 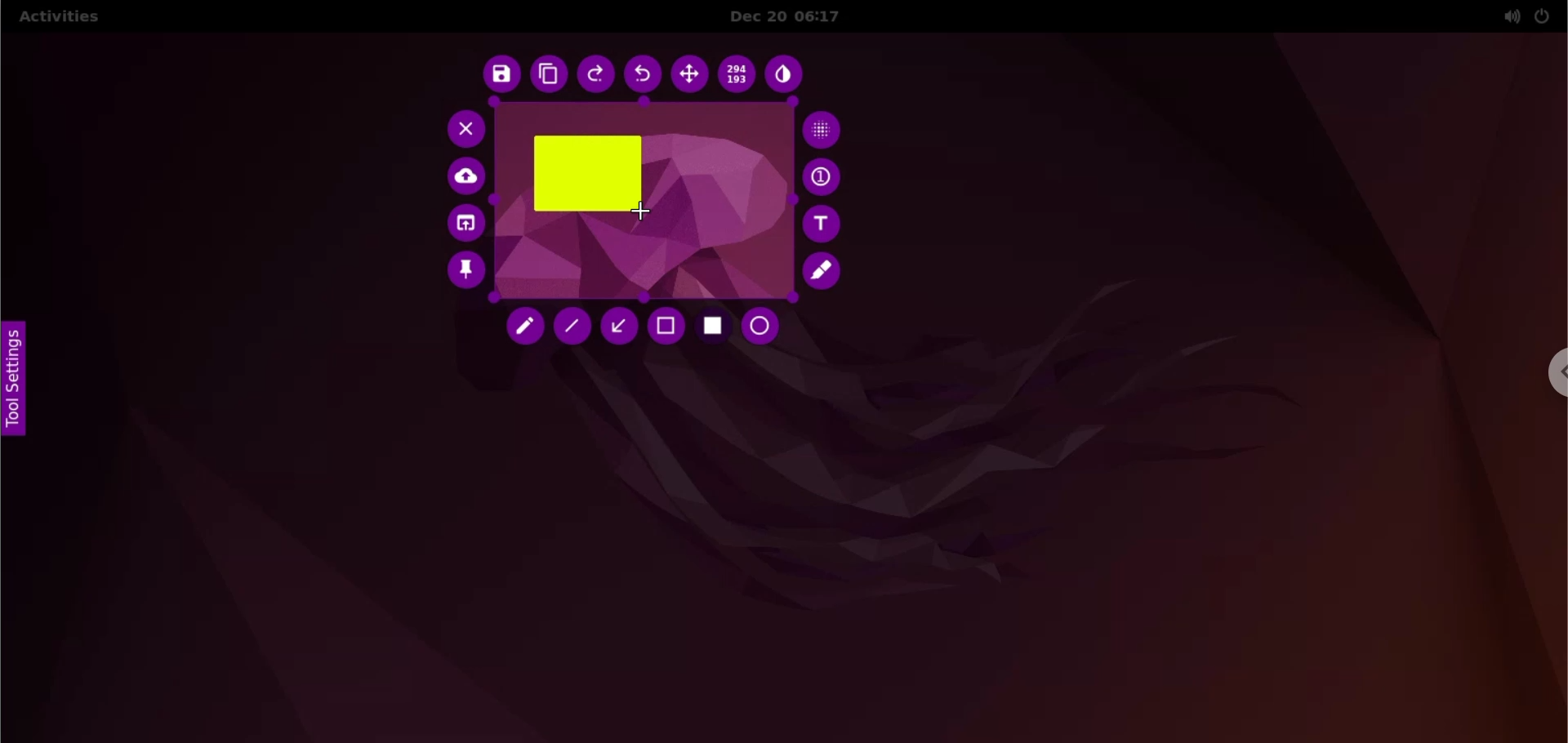 I want to click on rectangle, so click(x=587, y=173).